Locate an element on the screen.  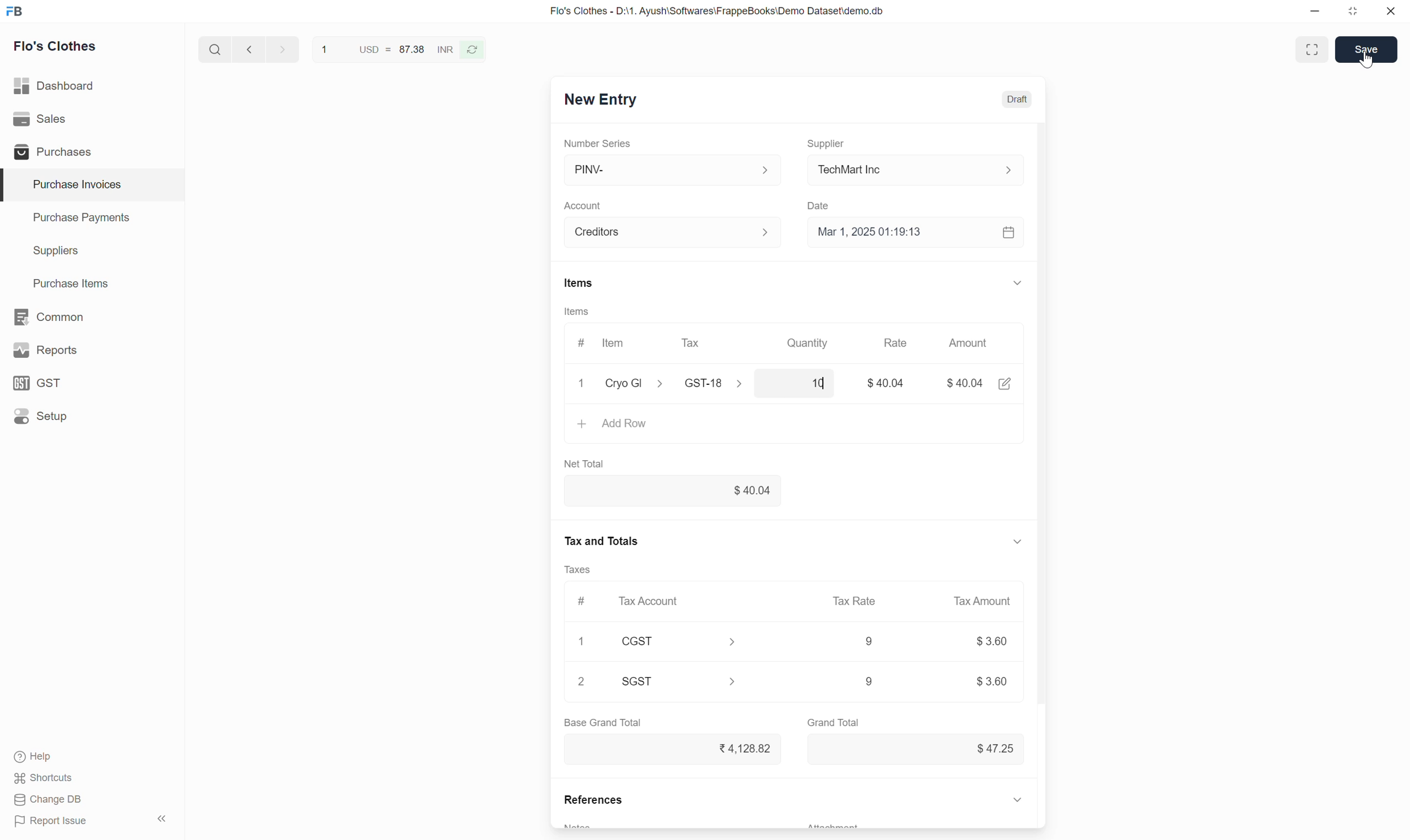
1 is located at coordinates (584, 640).